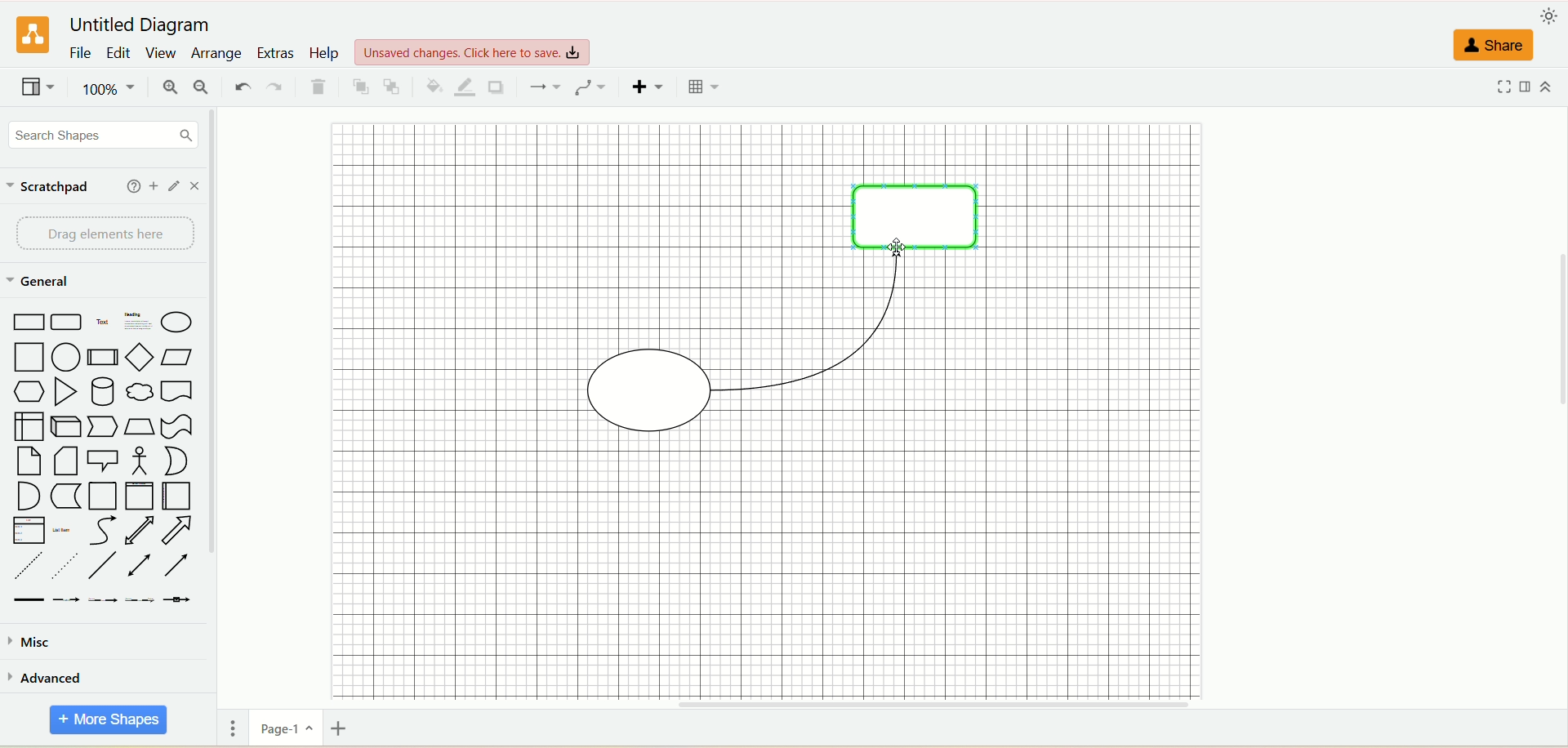 This screenshot has height=748, width=1568. I want to click on delete, so click(320, 88).